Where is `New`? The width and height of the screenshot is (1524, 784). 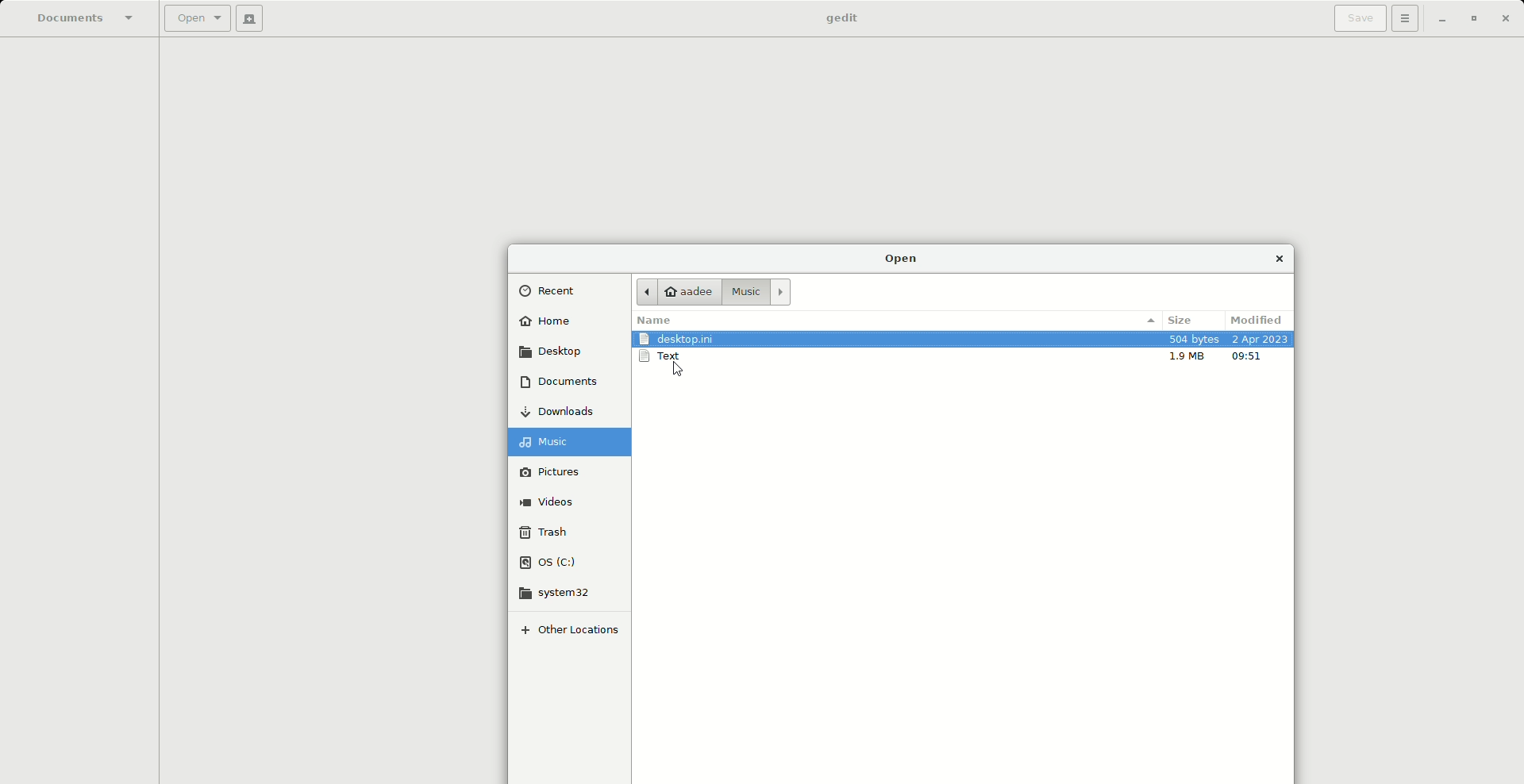
New is located at coordinates (254, 17).